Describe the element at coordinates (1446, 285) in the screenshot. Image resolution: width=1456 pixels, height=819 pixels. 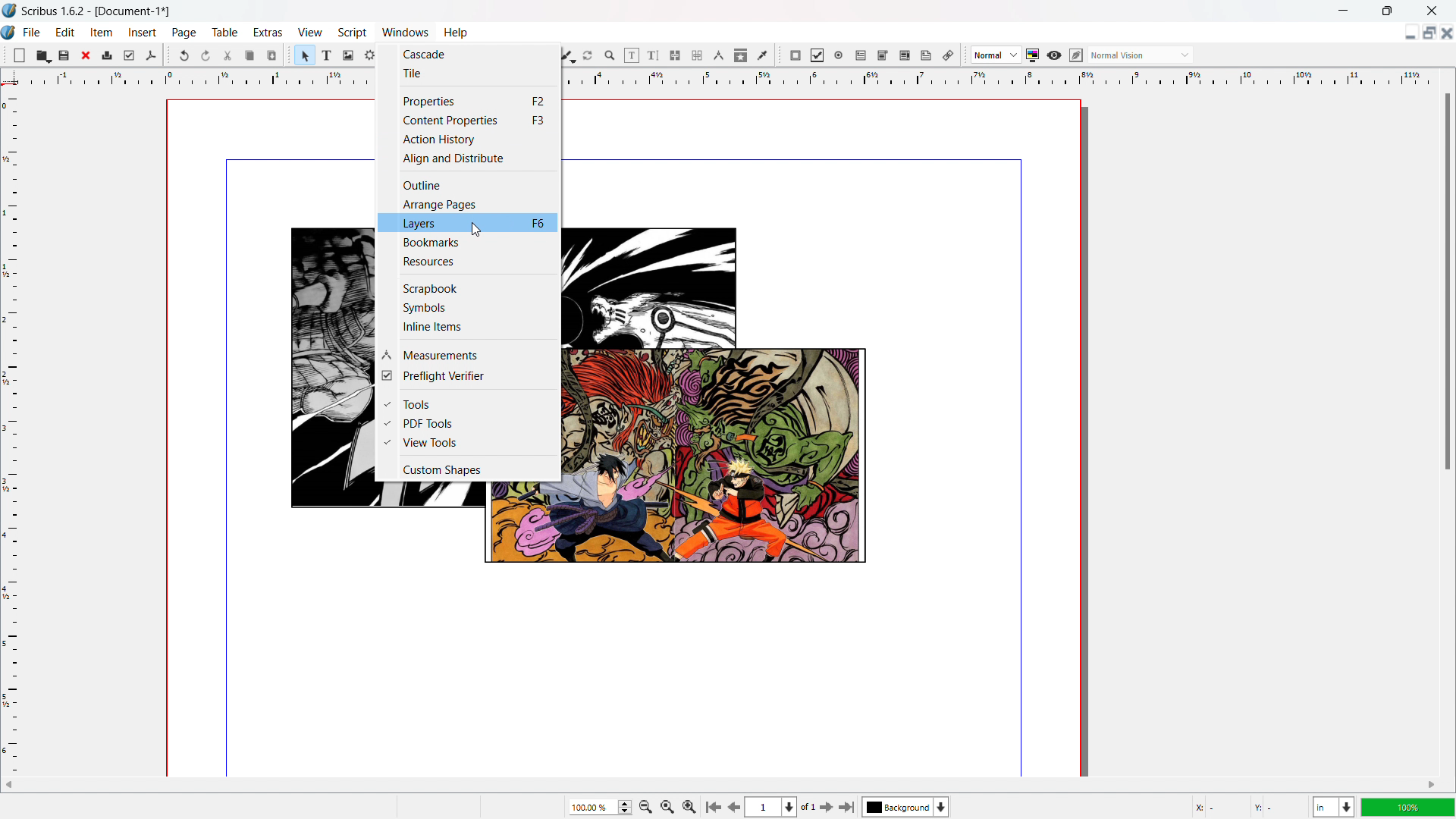
I see `vertical scroll bar` at that location.